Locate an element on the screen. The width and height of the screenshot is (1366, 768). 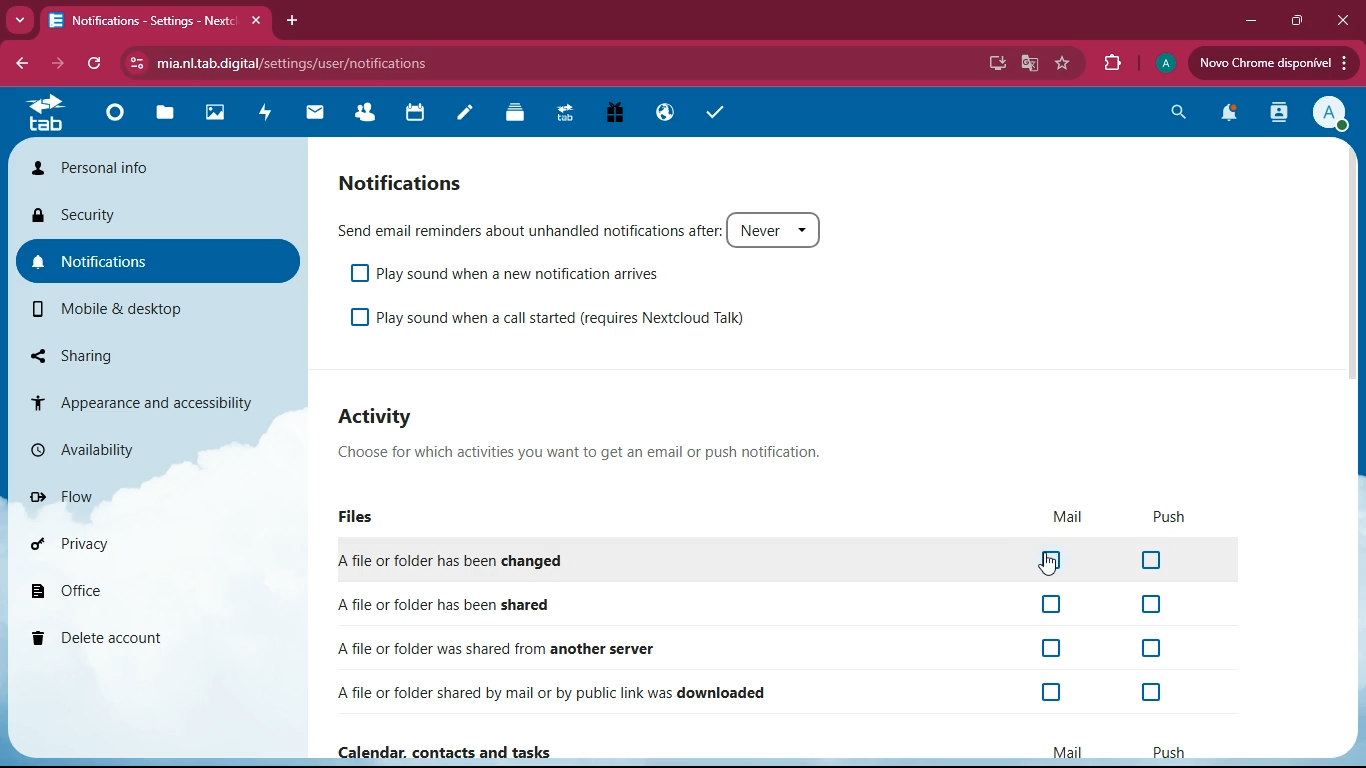
friends is located at coordinates (365, 114).